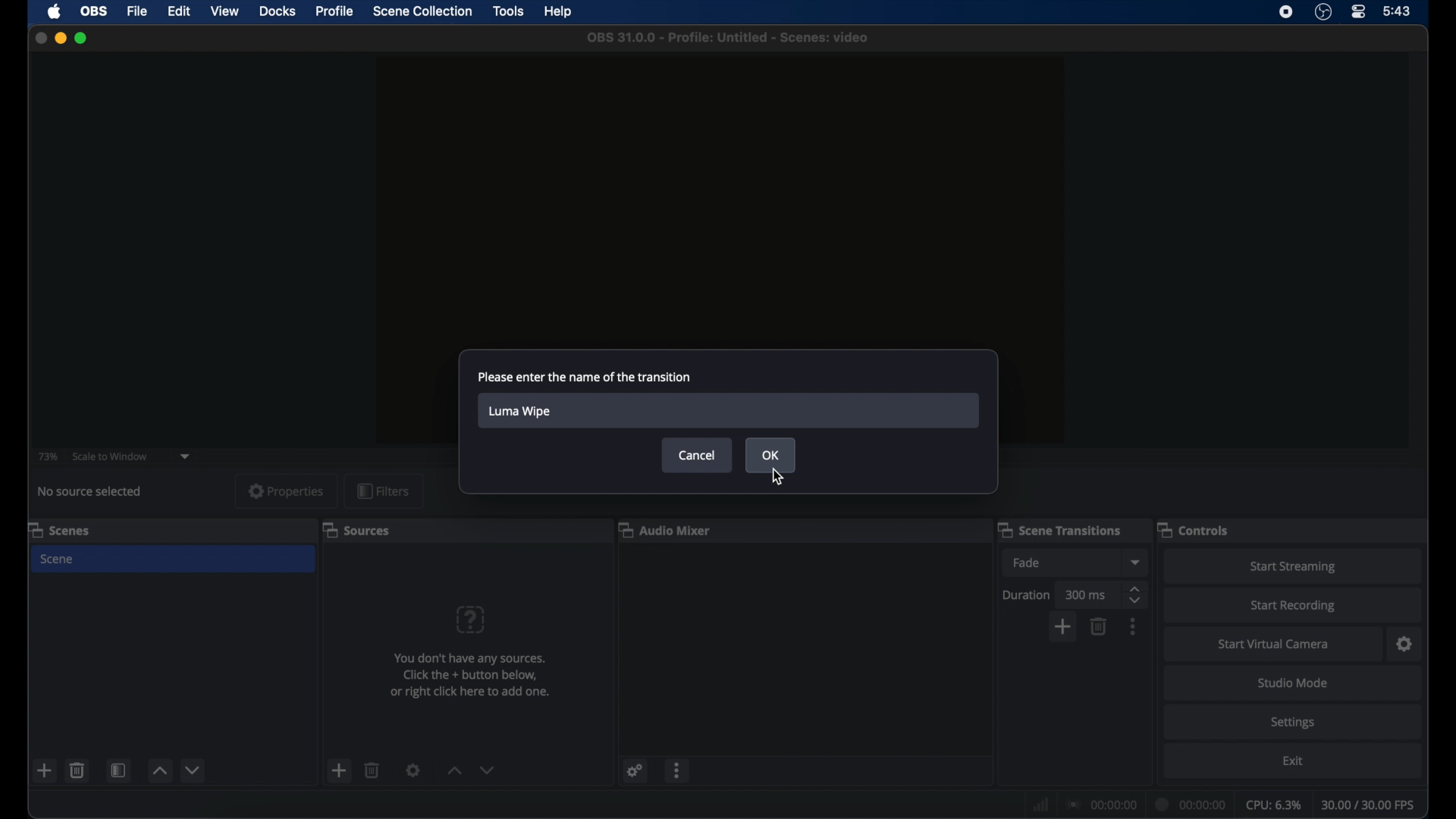 The width and height of the screenshot is (1456, 819). What do you see at coordinates (1134, 561) in the screenshot?
I see `dropdown` at bounding box center [1134, 561].